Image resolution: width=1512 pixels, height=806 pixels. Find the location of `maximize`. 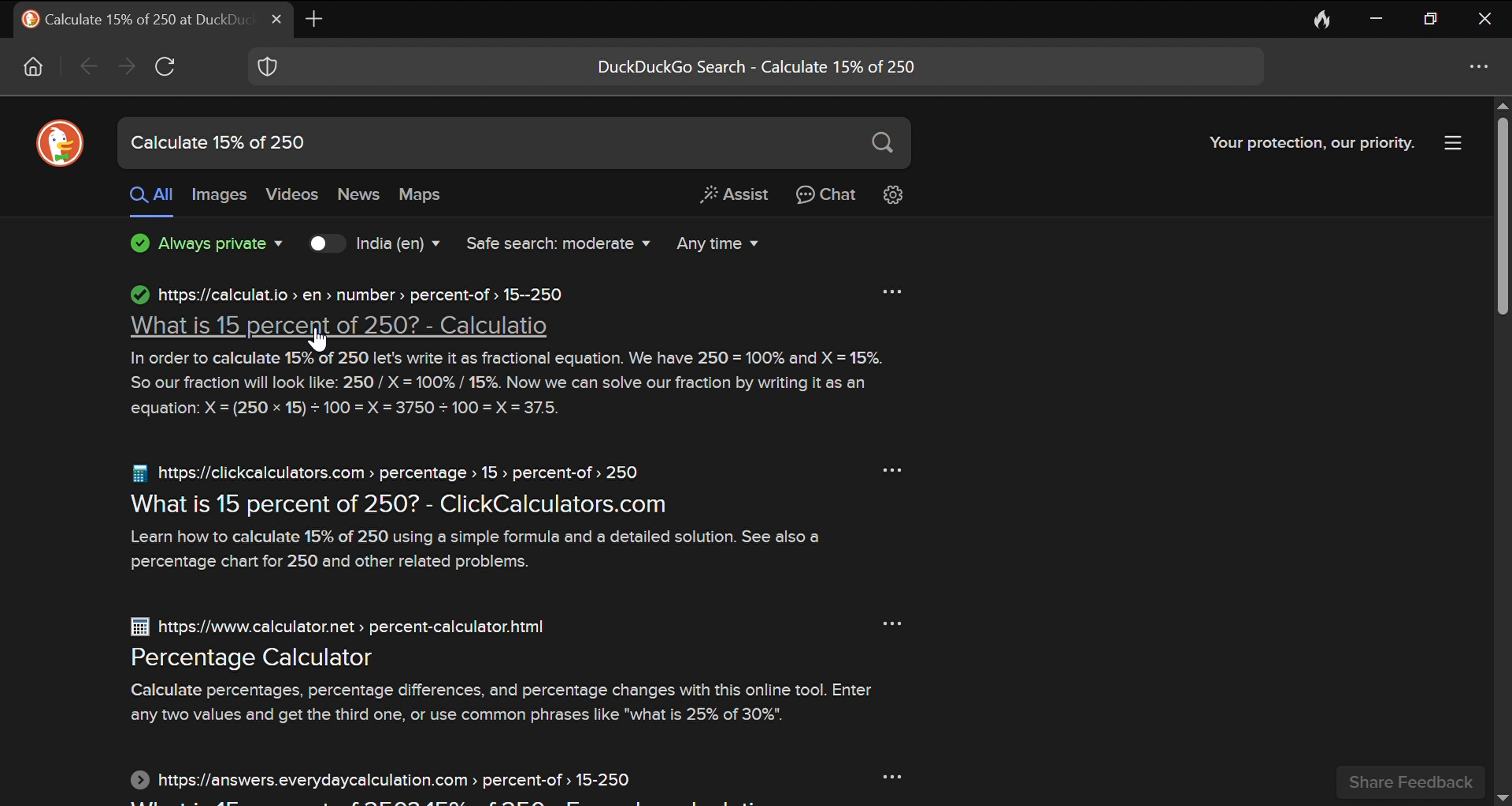

maximize is located at coordinates (1432, 20).